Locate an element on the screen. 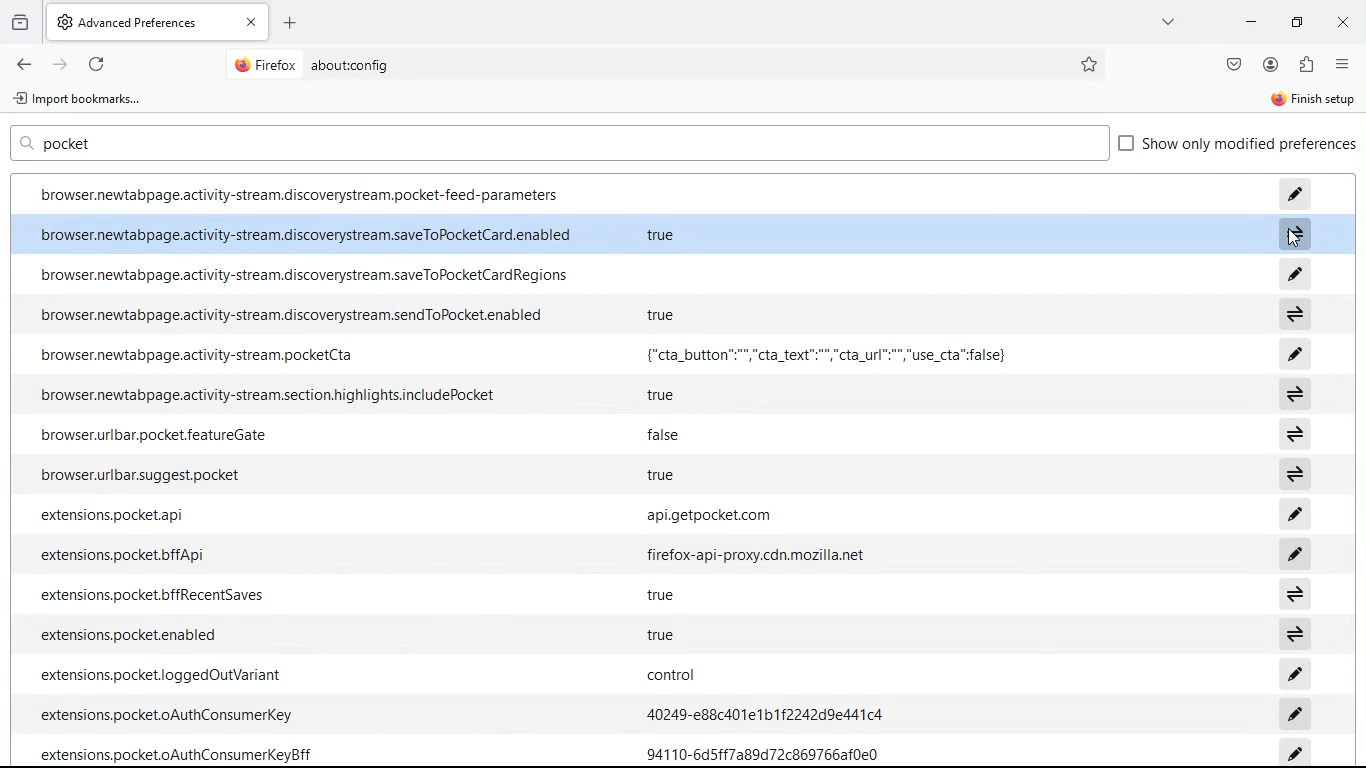 Image resolution: width=1366 pixels, height=768 pixels. switch is located at coordinates (1296, 313).